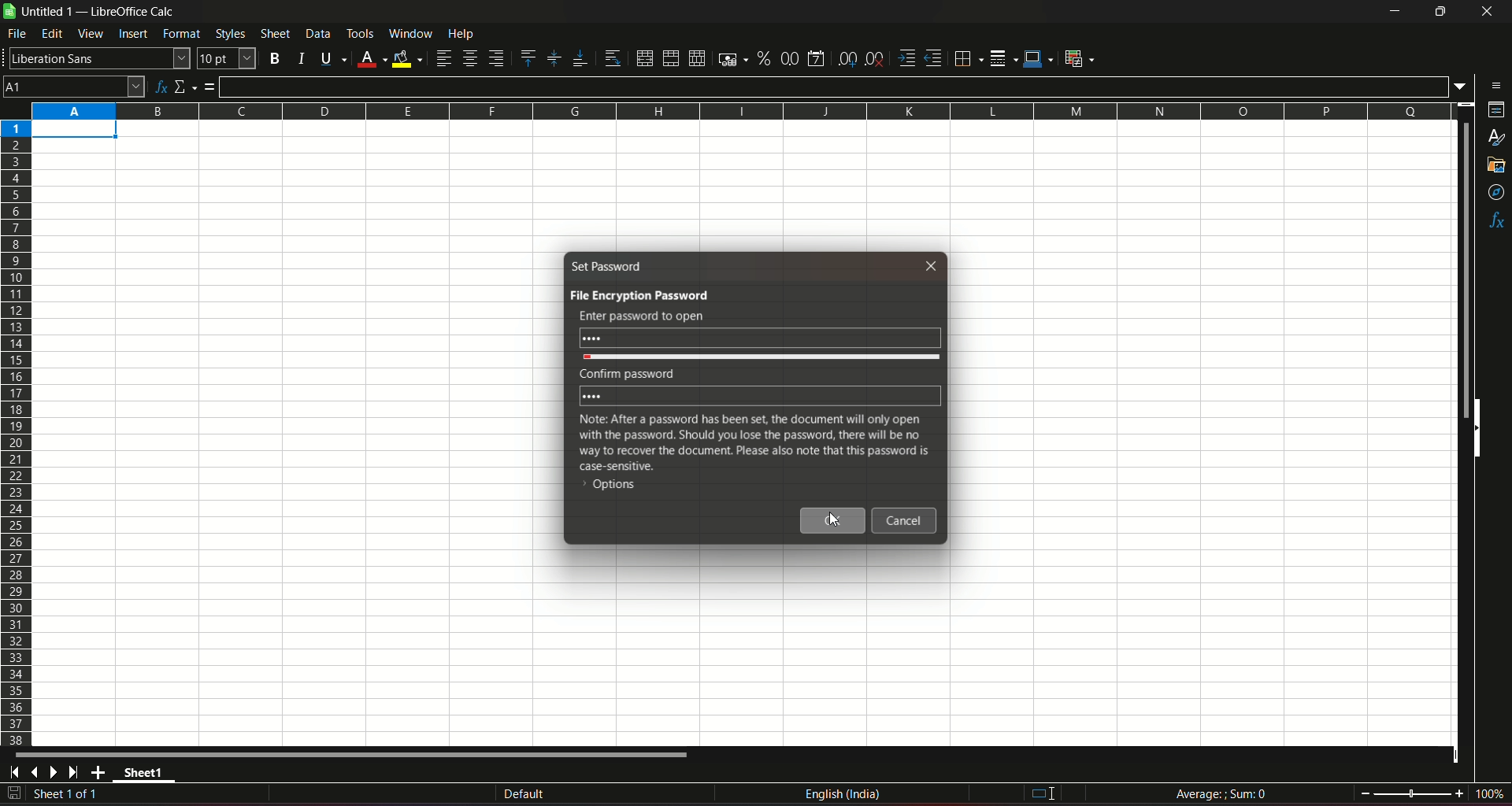 This screenshot has height=806, width=1512. What do you see at coordinates (553, 58) in the screenshot?
I see `center vertically` at bounding box center [553, 58].